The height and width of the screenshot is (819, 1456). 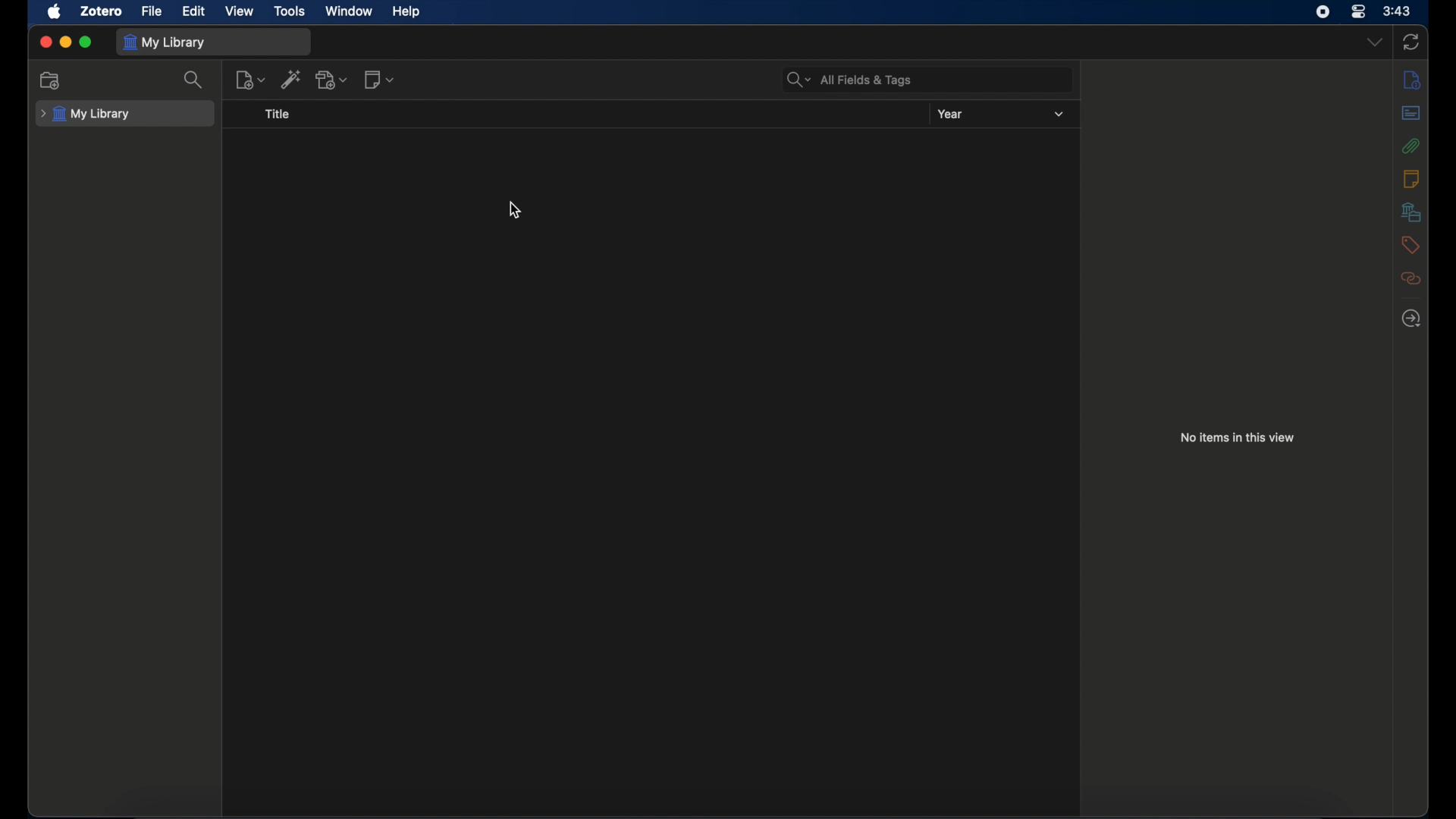 What do you see at coordinates (293, 78) in the screenshot?
I see `add item by identifier` at bounding box center [293, 78].